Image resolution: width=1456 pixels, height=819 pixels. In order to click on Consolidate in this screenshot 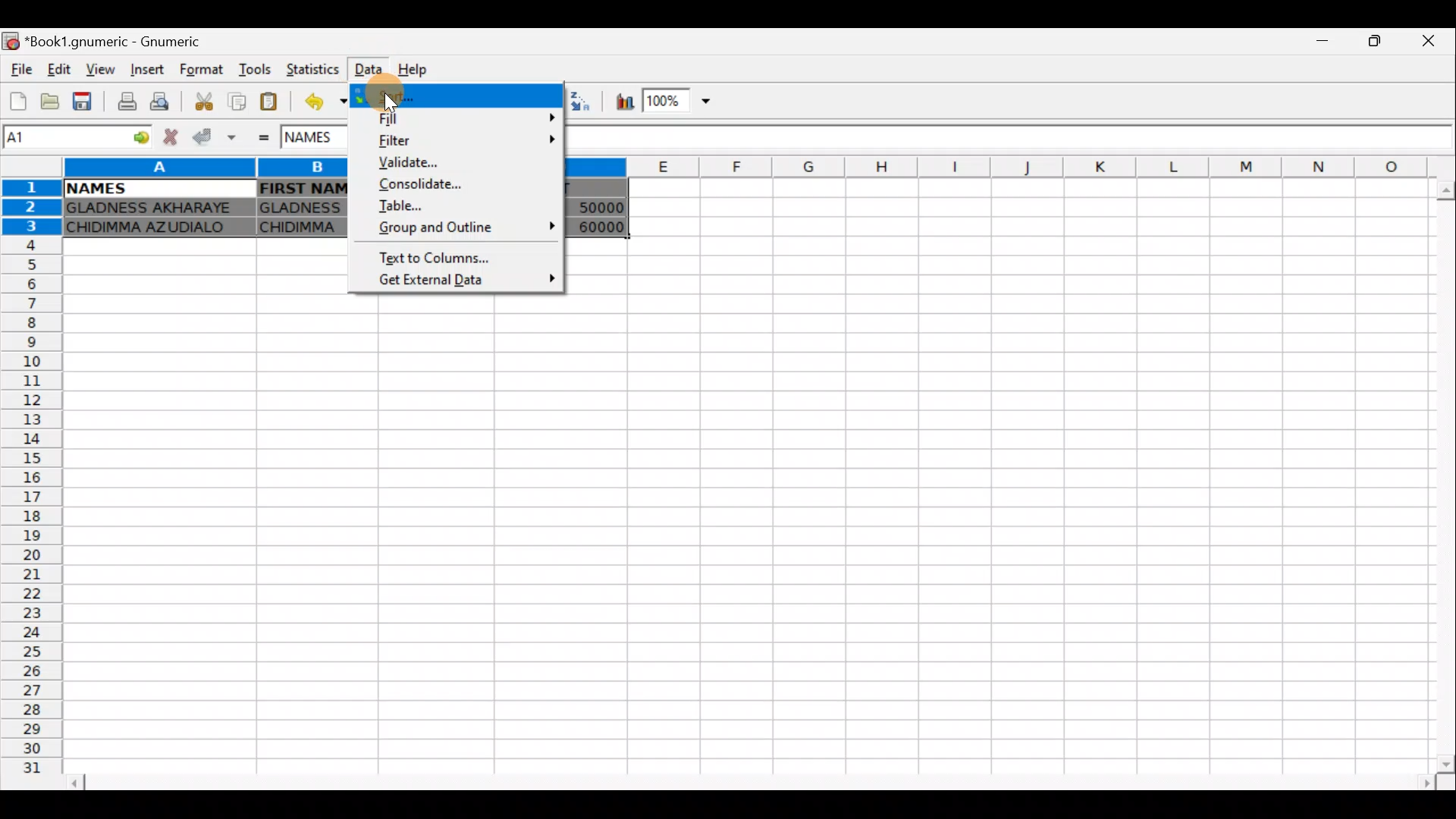, I will do `click(459, 184)`.